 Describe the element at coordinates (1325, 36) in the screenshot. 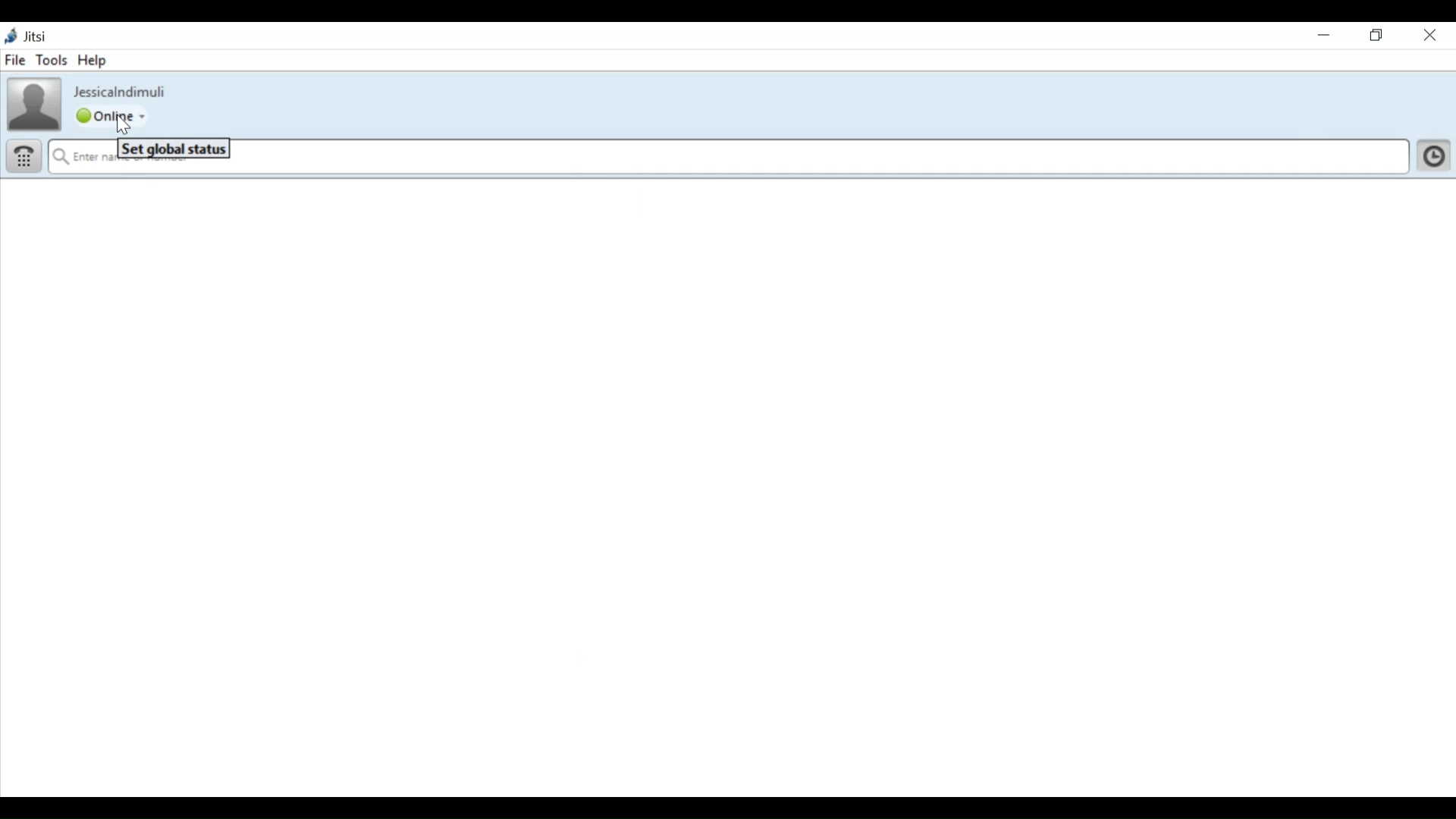

I see `Minimize` at that location.